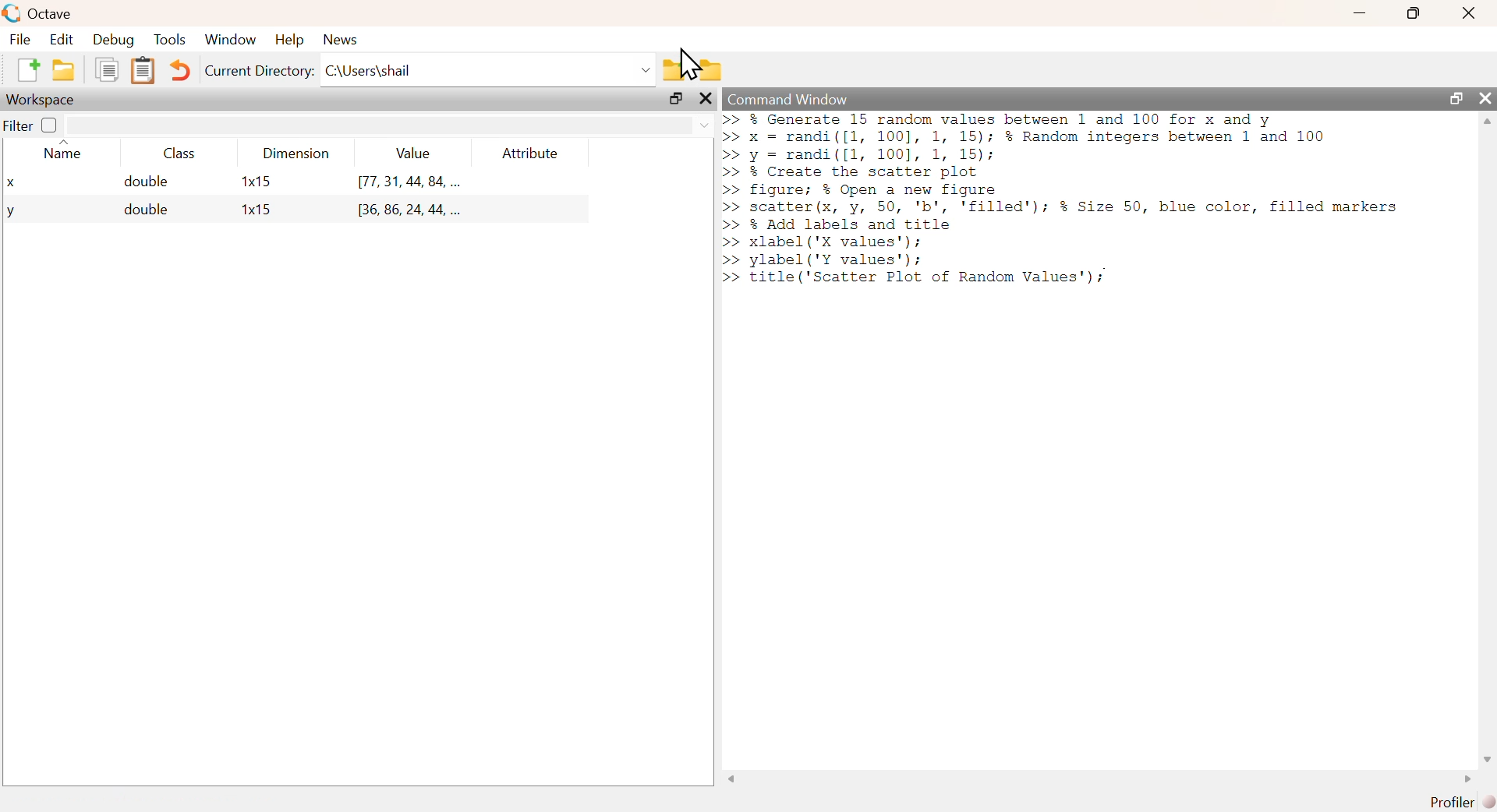  I want to click on Filter, so click(34, 125).